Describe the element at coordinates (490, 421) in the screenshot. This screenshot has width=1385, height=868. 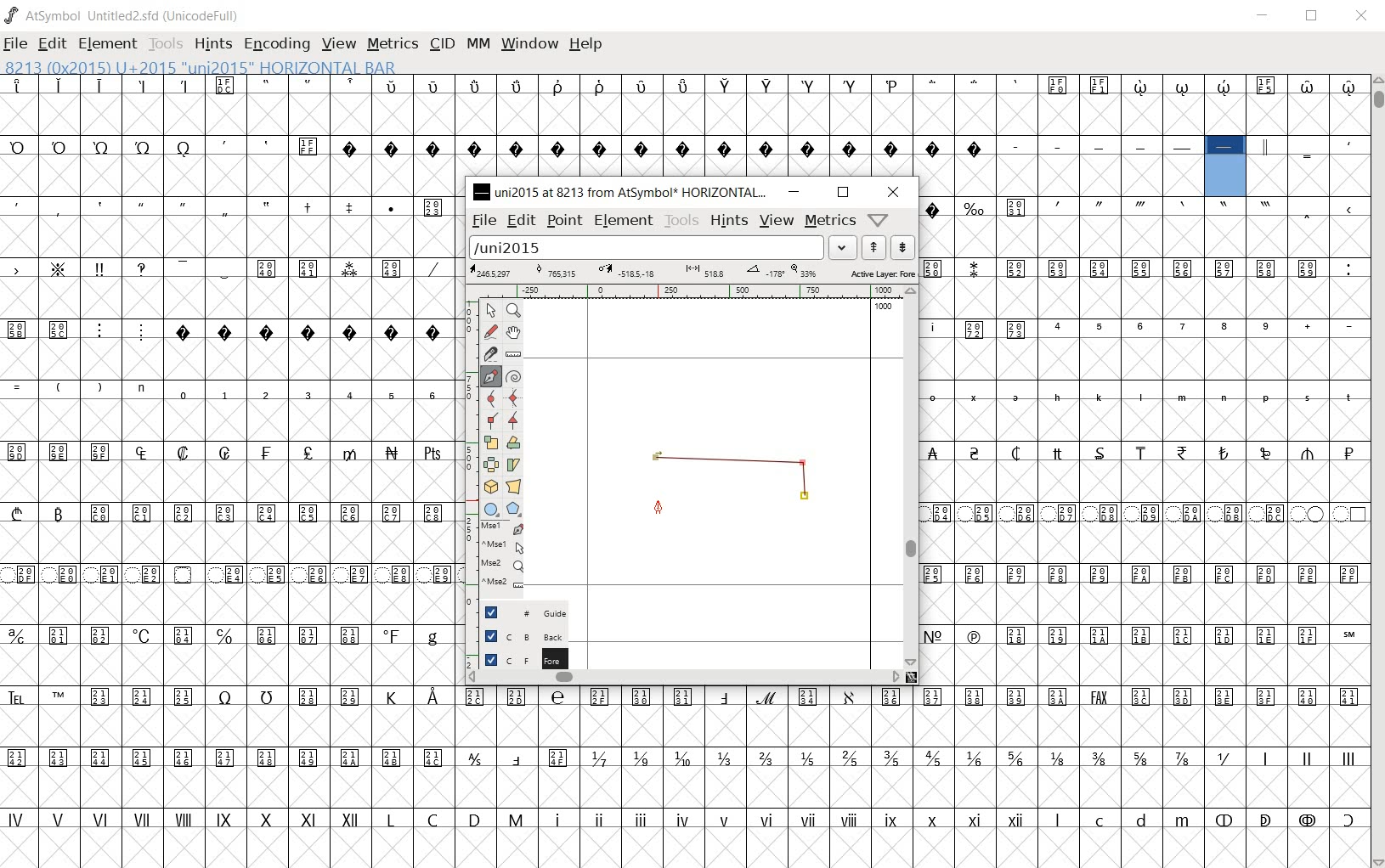
I see `Add a corner point` at that location.